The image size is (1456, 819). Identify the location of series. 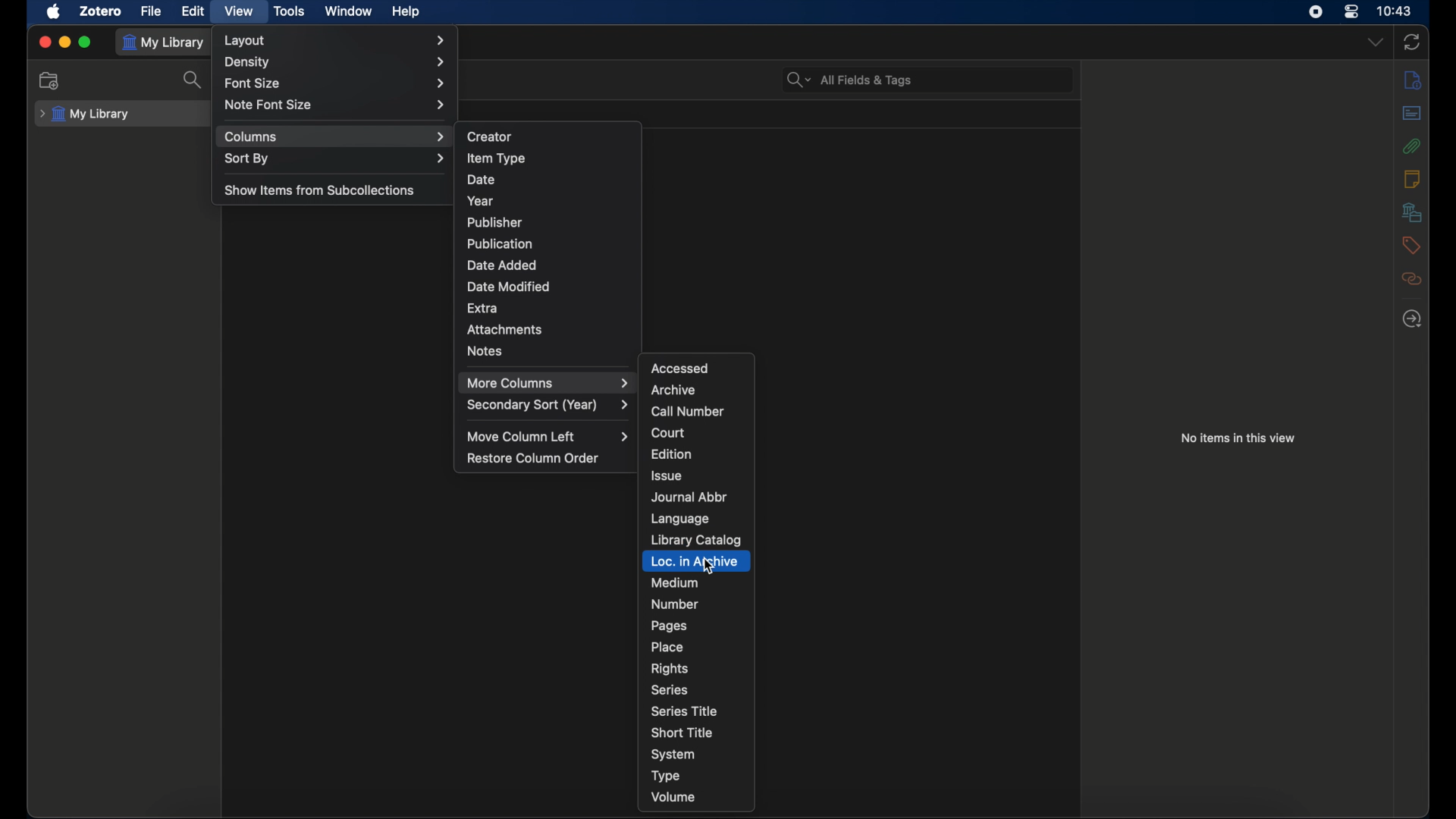
(670, 690).